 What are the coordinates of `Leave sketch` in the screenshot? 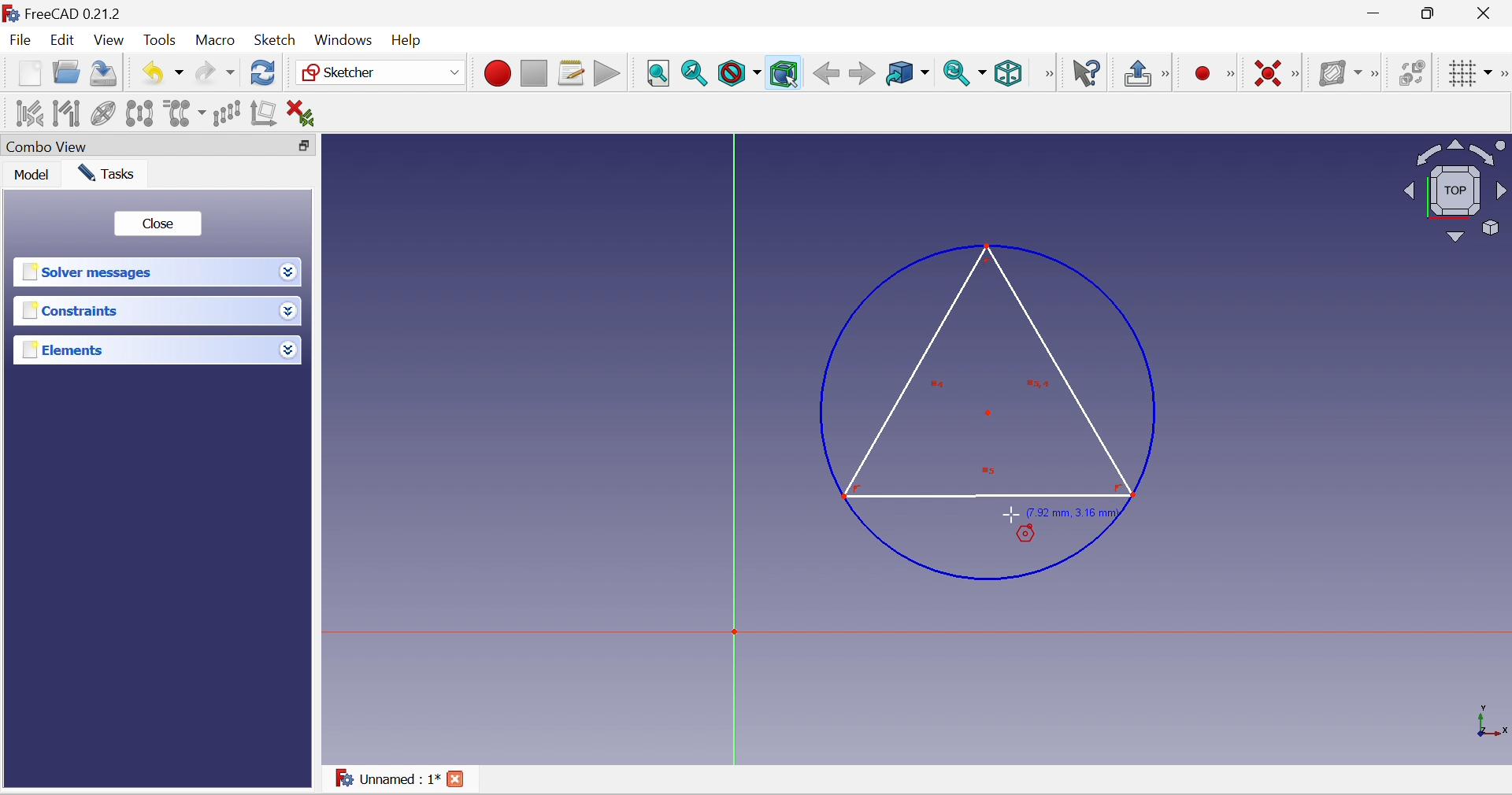 It's located at (1139, 75).